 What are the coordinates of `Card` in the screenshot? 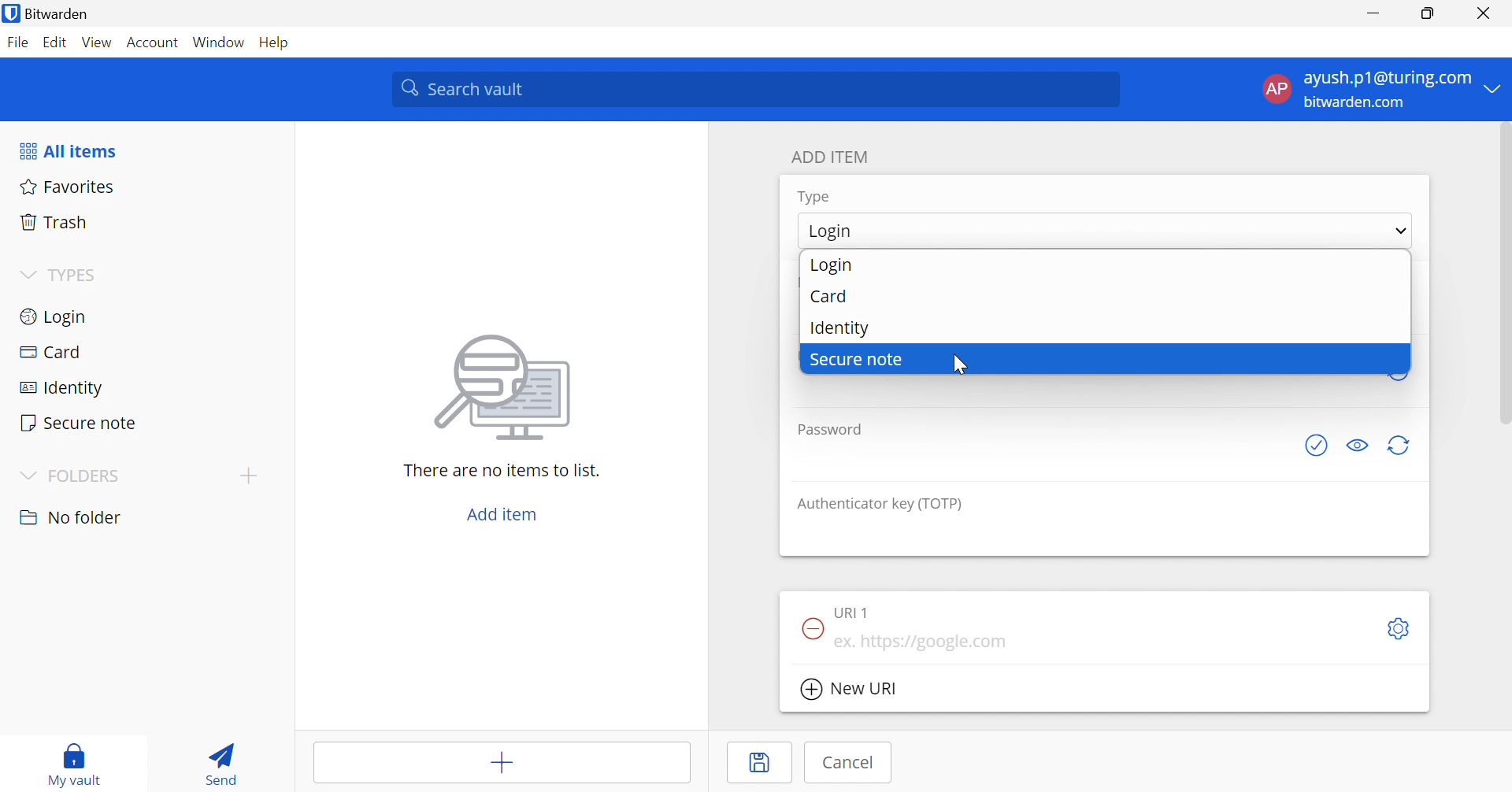 It's located at (1107, 293).